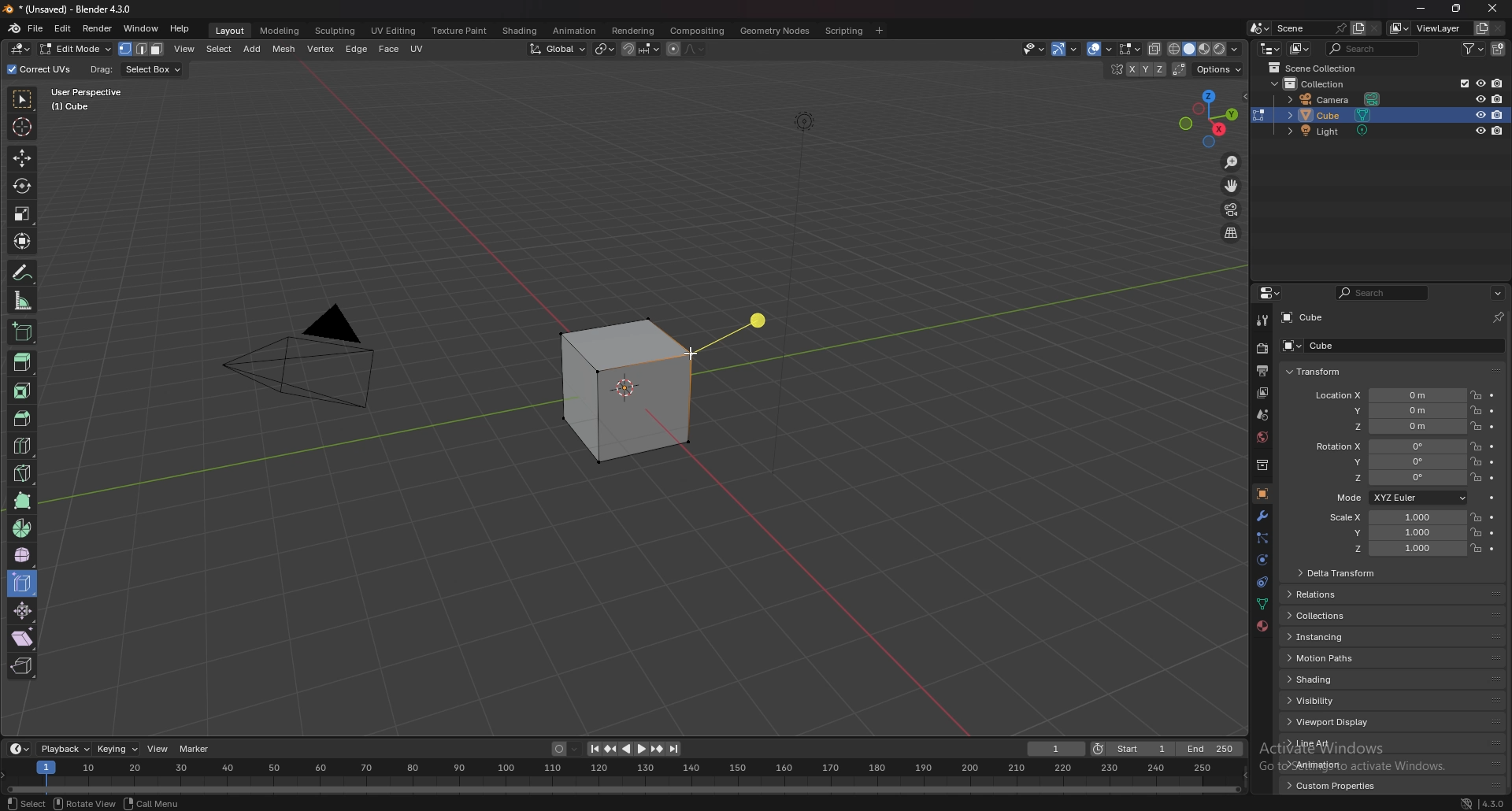  I want to click on constraints, so click(1262, 581).